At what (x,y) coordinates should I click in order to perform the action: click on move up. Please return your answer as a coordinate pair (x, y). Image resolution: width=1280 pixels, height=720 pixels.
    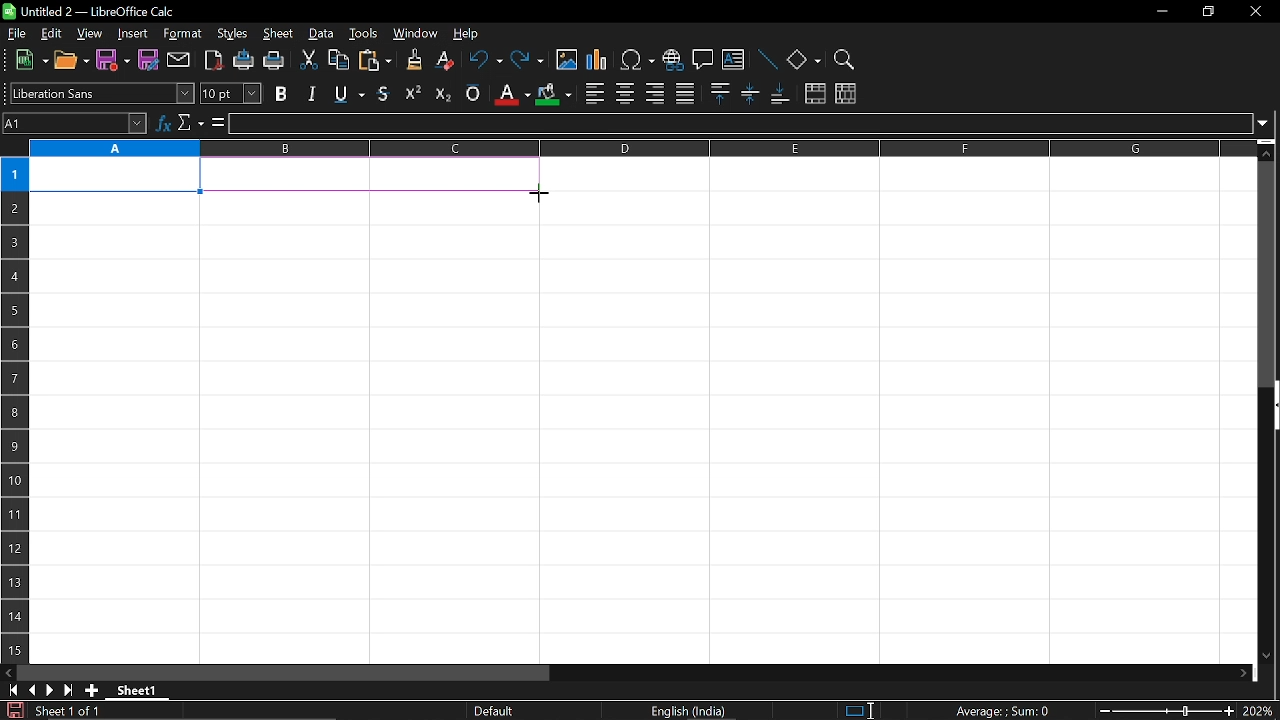
    Looking at the image, I should click on (1269, 151).